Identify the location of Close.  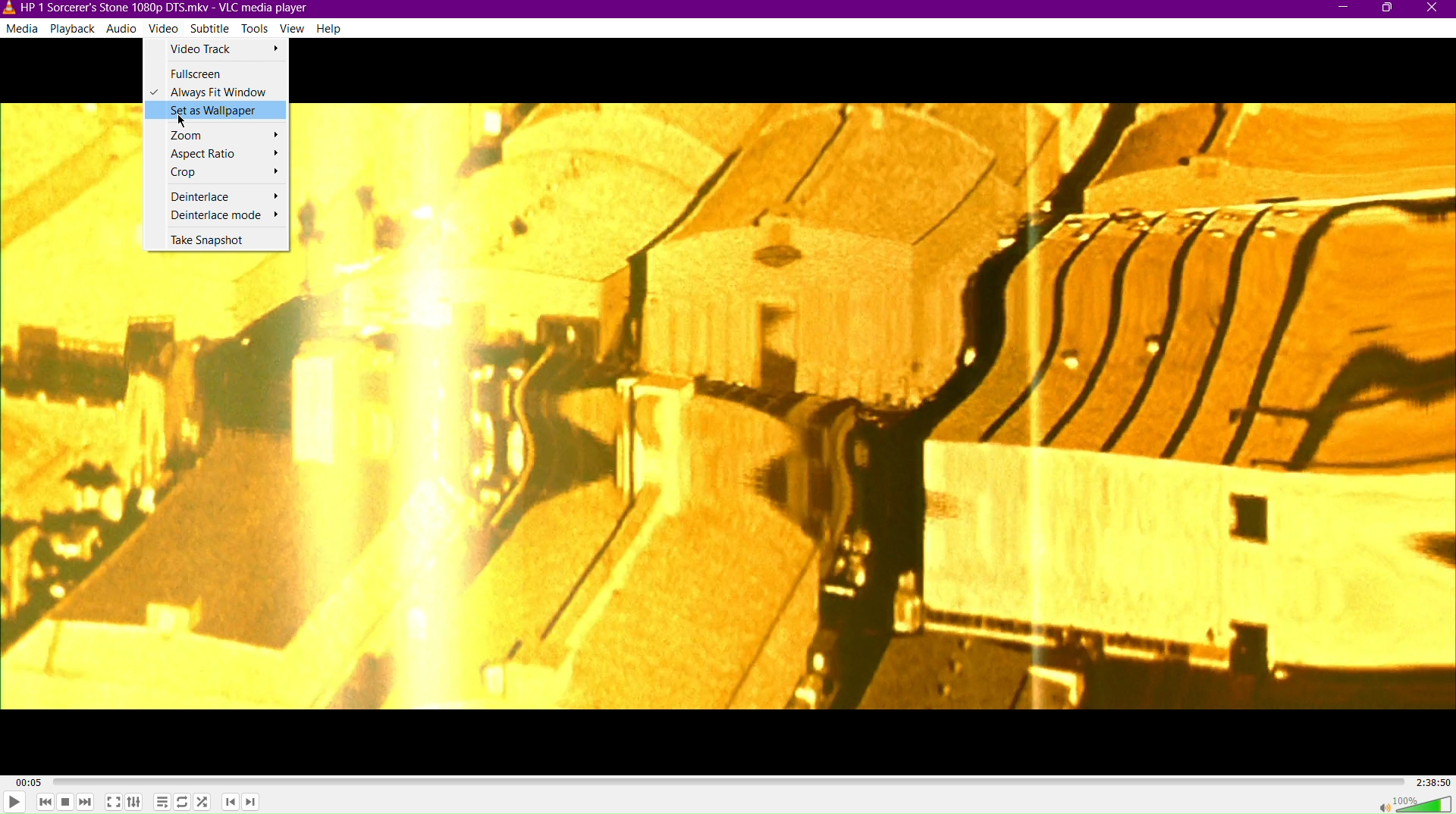
(1434, 9).